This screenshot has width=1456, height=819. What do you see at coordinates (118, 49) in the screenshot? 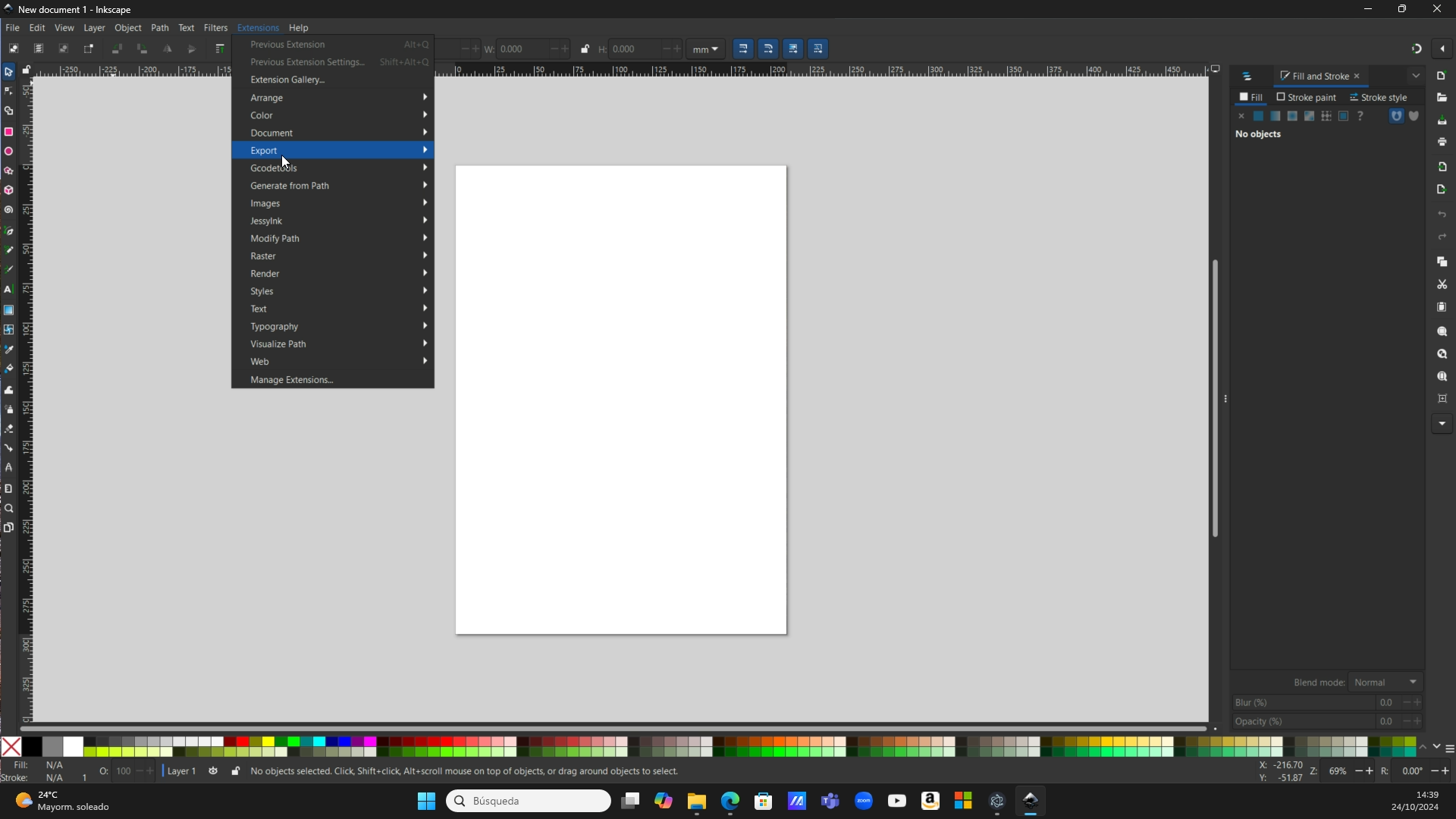
I see `Custom Tool bar` at bounding box center [118, 49].